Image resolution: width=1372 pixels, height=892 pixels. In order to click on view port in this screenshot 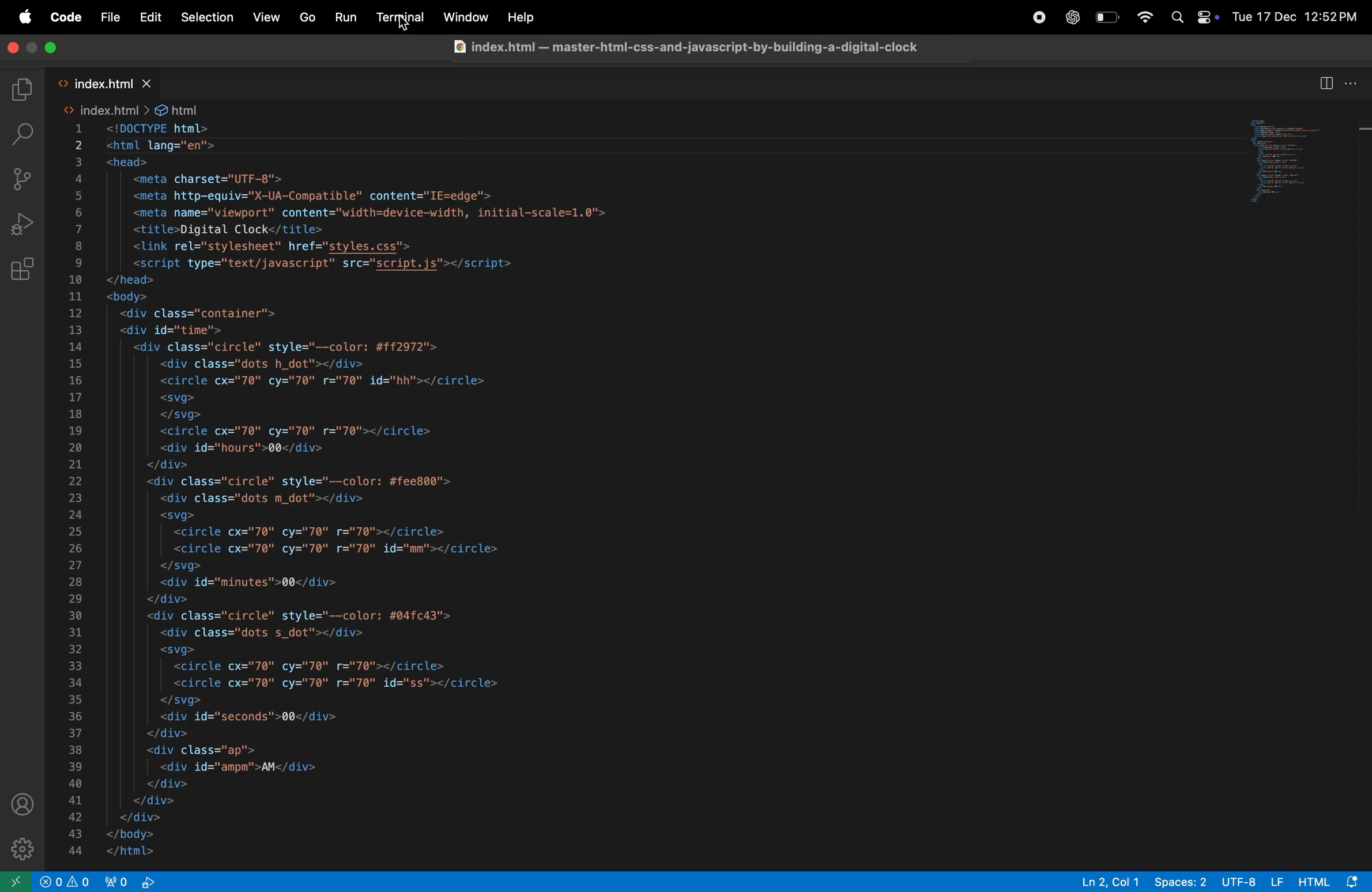, I will do `click(138, 882)`.